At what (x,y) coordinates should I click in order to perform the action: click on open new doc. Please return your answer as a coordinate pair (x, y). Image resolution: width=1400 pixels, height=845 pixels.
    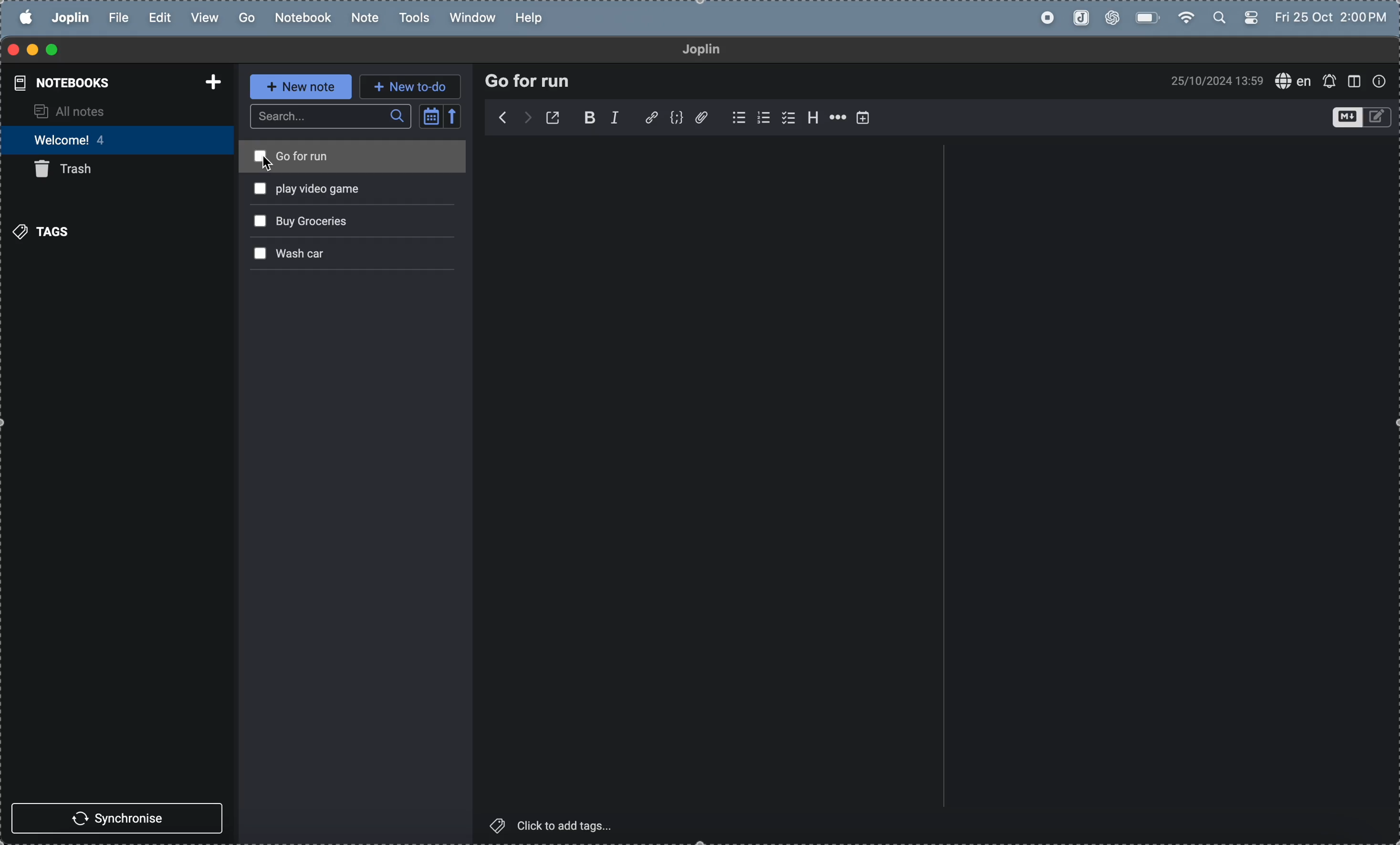
    Looking at the image, I should click on (554, 115).